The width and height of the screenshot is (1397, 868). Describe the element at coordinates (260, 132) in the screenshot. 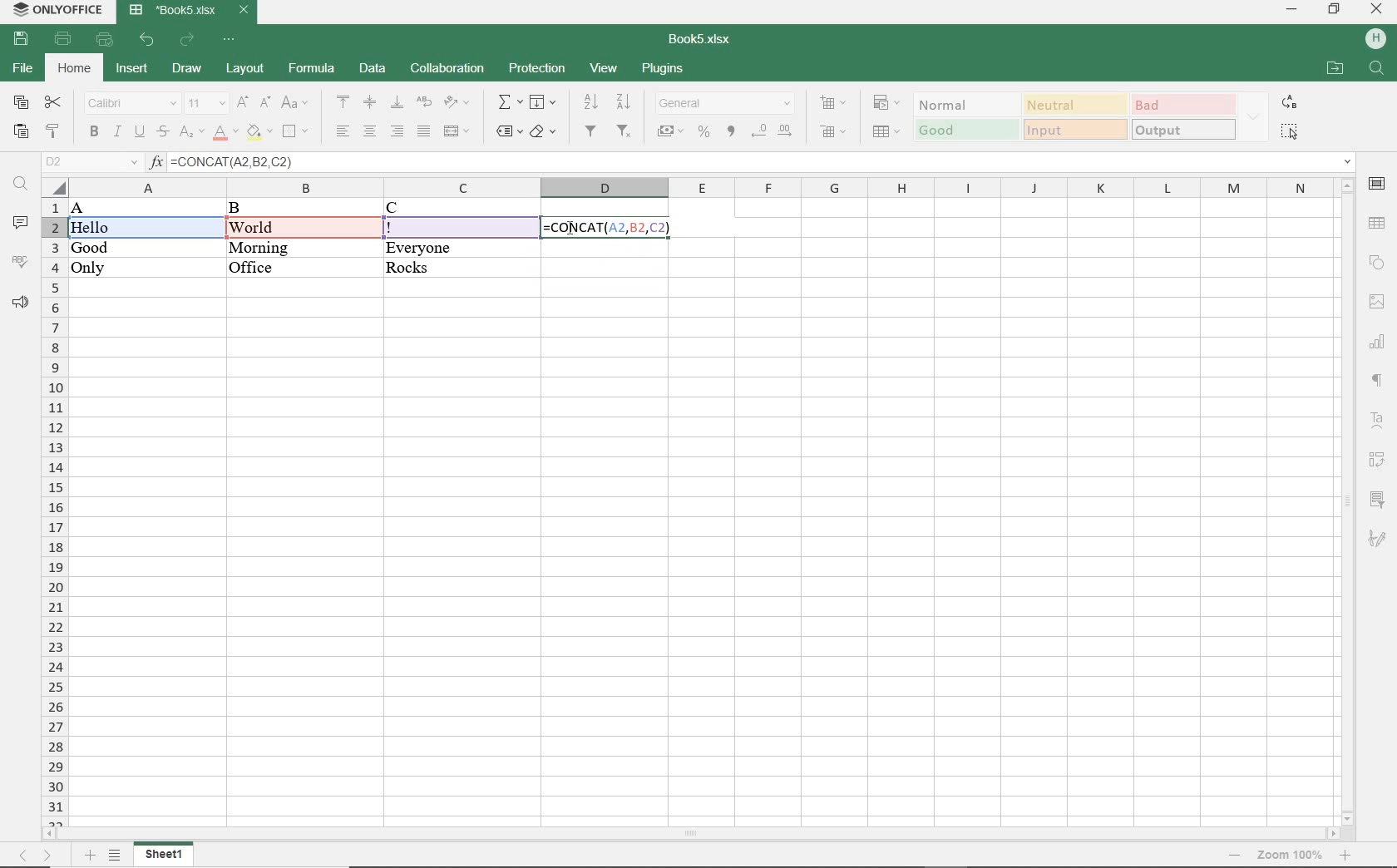

I see `FILL COLOR` at that location.